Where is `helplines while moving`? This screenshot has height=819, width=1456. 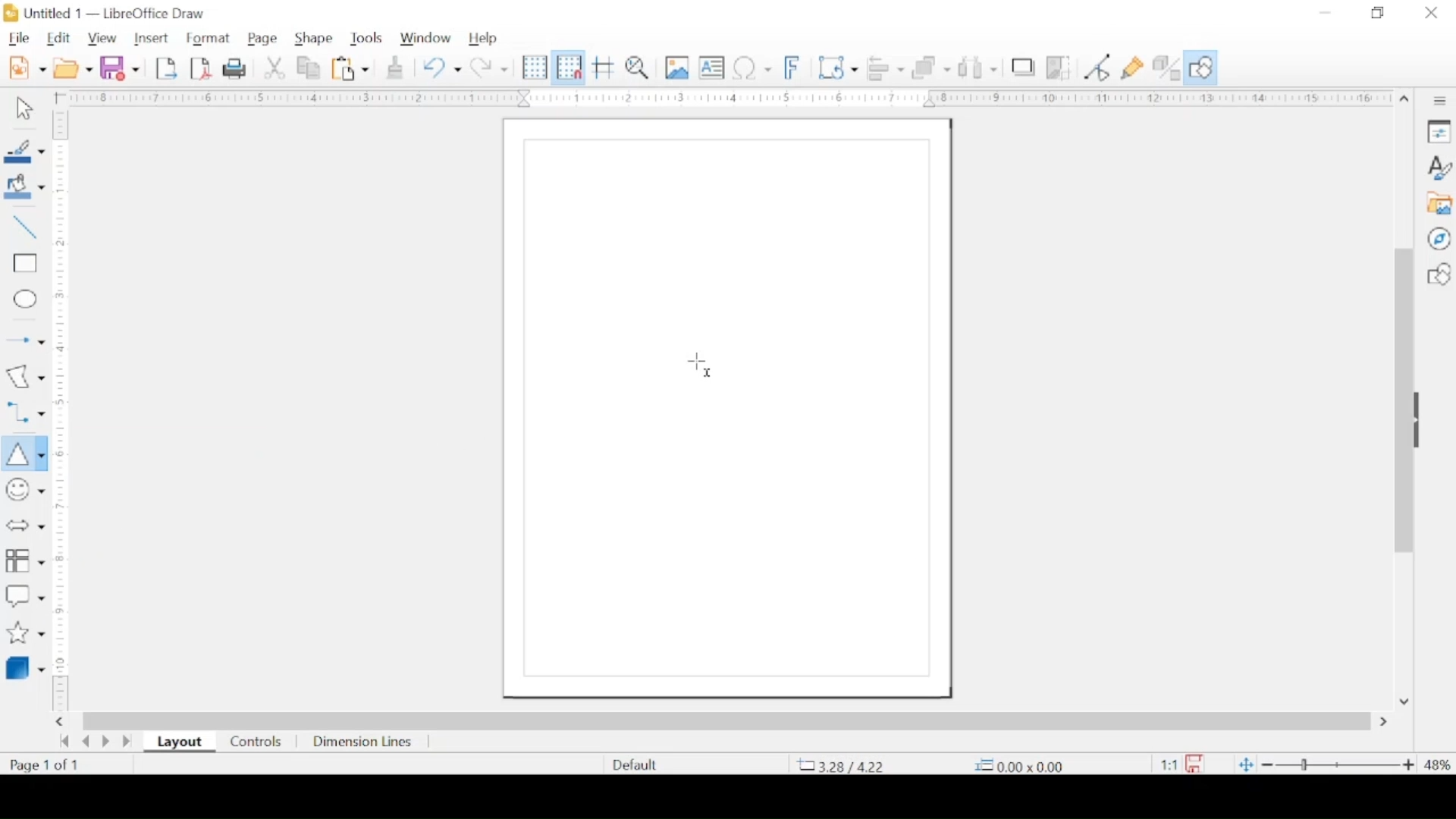
helplines while moving is located at coordinates (604, 67).